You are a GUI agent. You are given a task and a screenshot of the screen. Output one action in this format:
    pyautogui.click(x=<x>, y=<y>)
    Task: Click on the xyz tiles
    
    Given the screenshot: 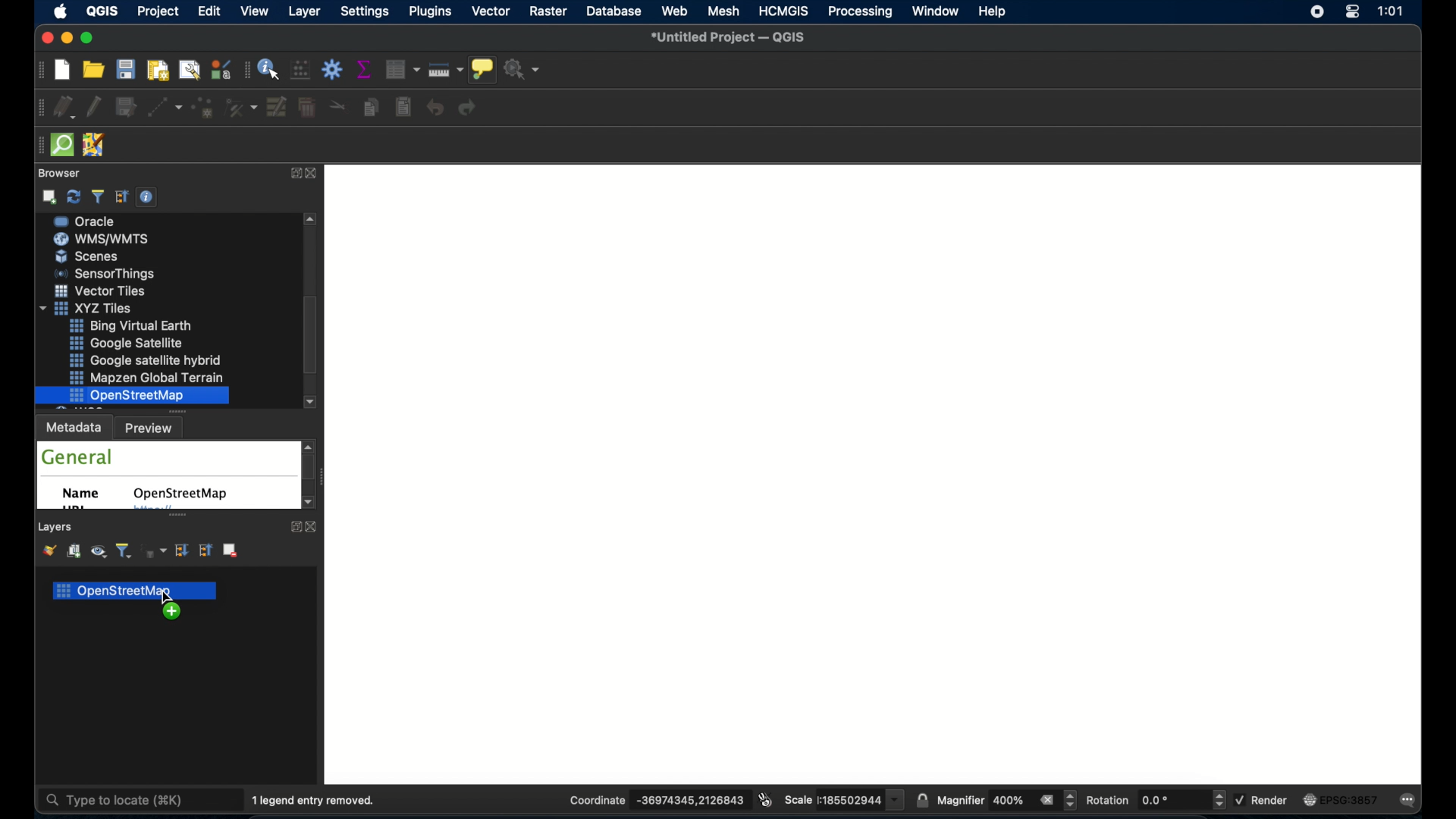 What is the action you would take?
    pyautogui.click(x=139, y=359)
    